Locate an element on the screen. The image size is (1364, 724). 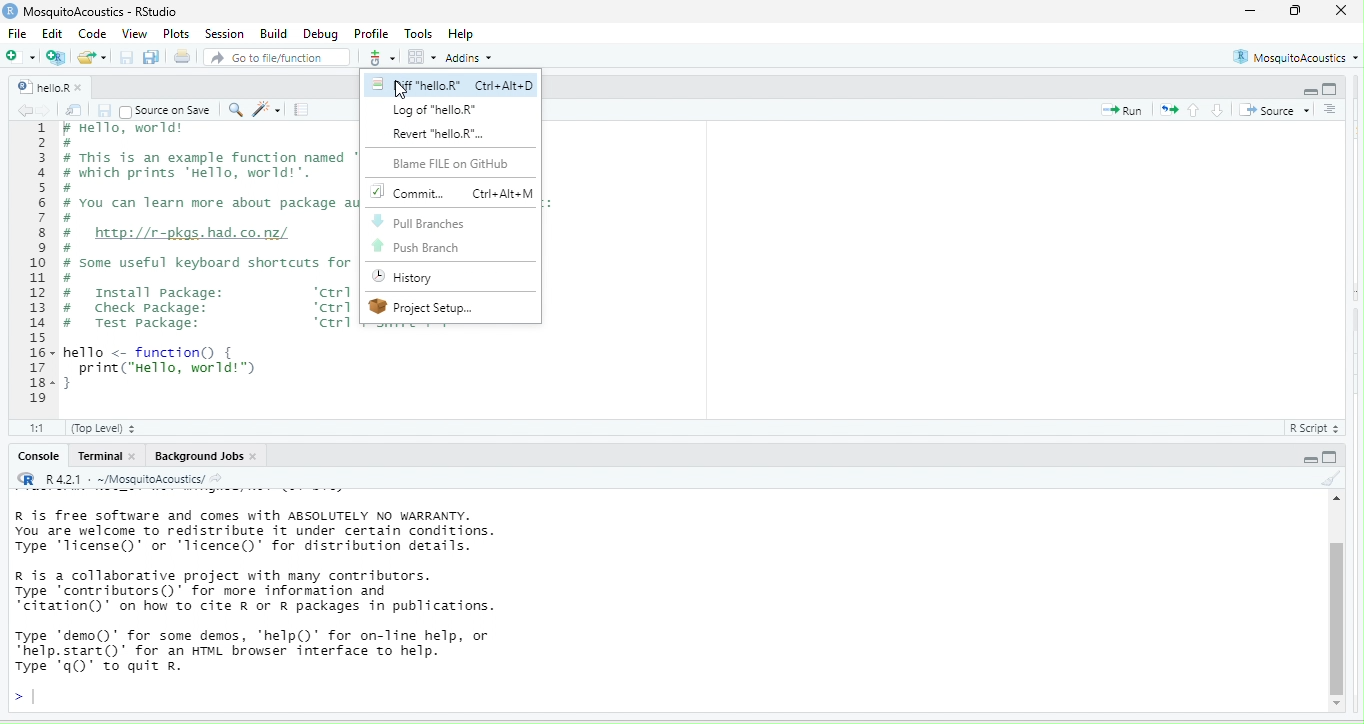
r studio logo is located at coordinates (11, 12).